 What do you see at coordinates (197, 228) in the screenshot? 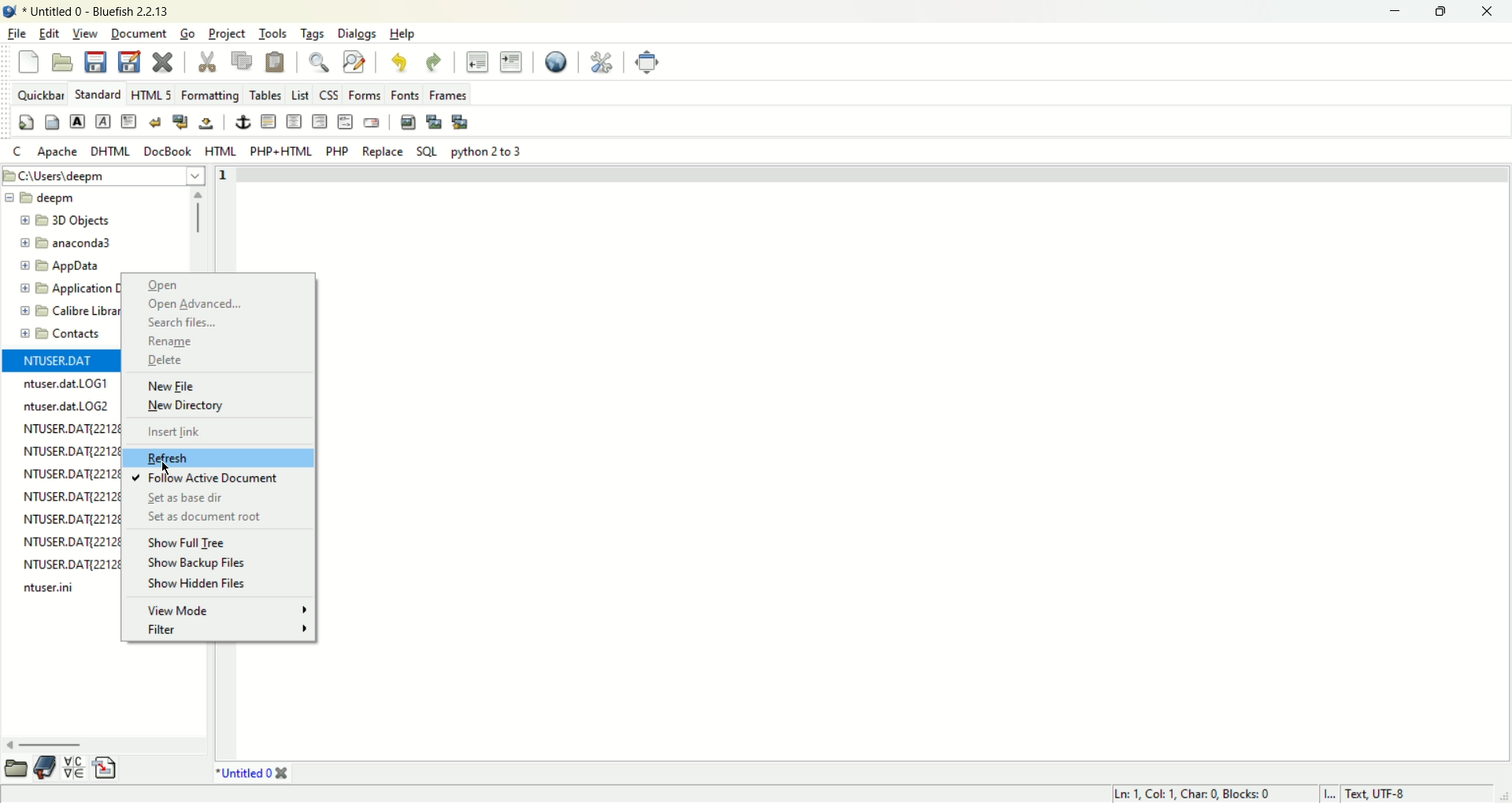
I see `scroll bar` at bounding box center [197, 228].